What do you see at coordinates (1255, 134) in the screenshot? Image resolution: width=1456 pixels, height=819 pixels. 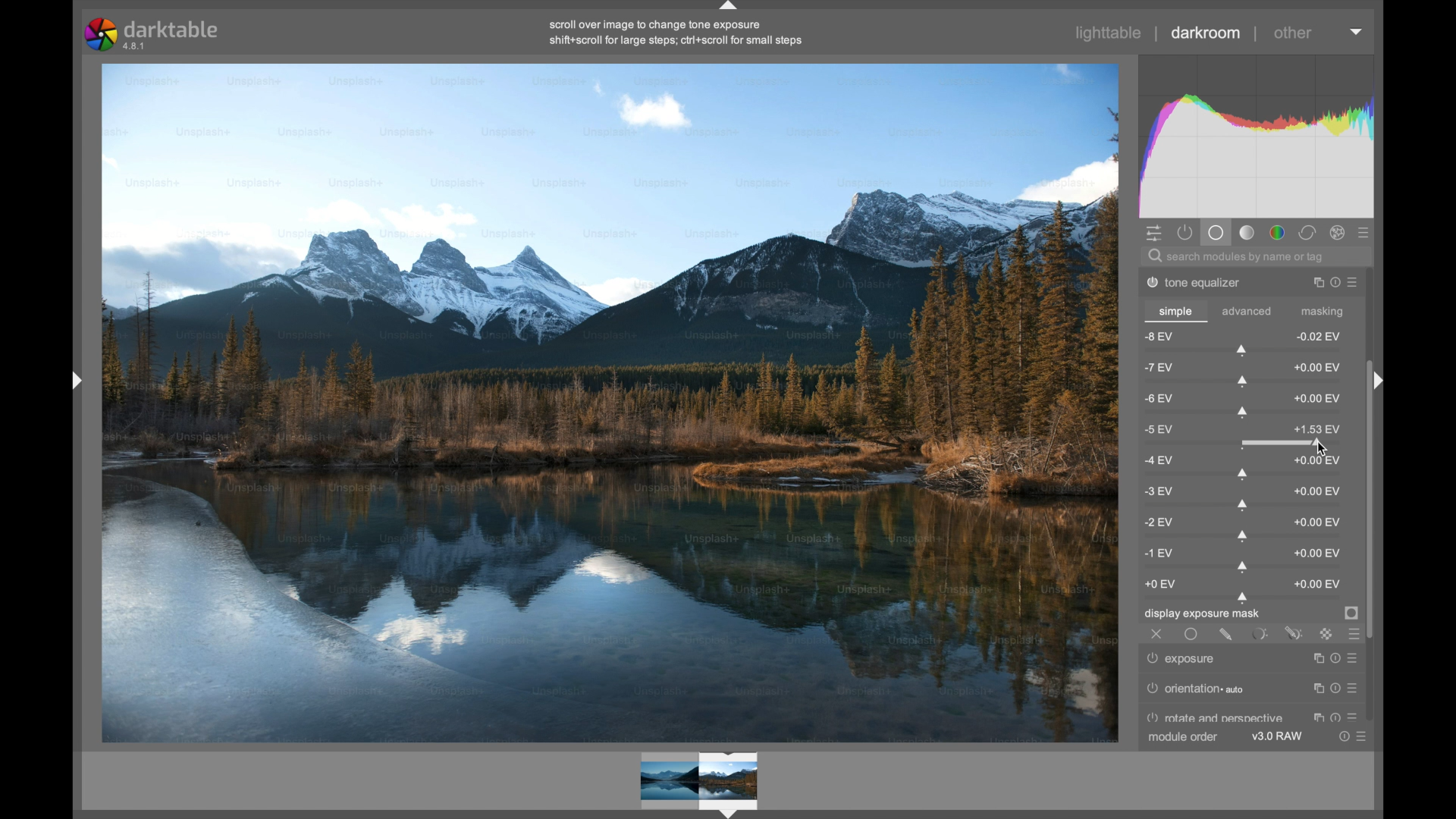 I see `histogram` at bounding box center [1255, 134].